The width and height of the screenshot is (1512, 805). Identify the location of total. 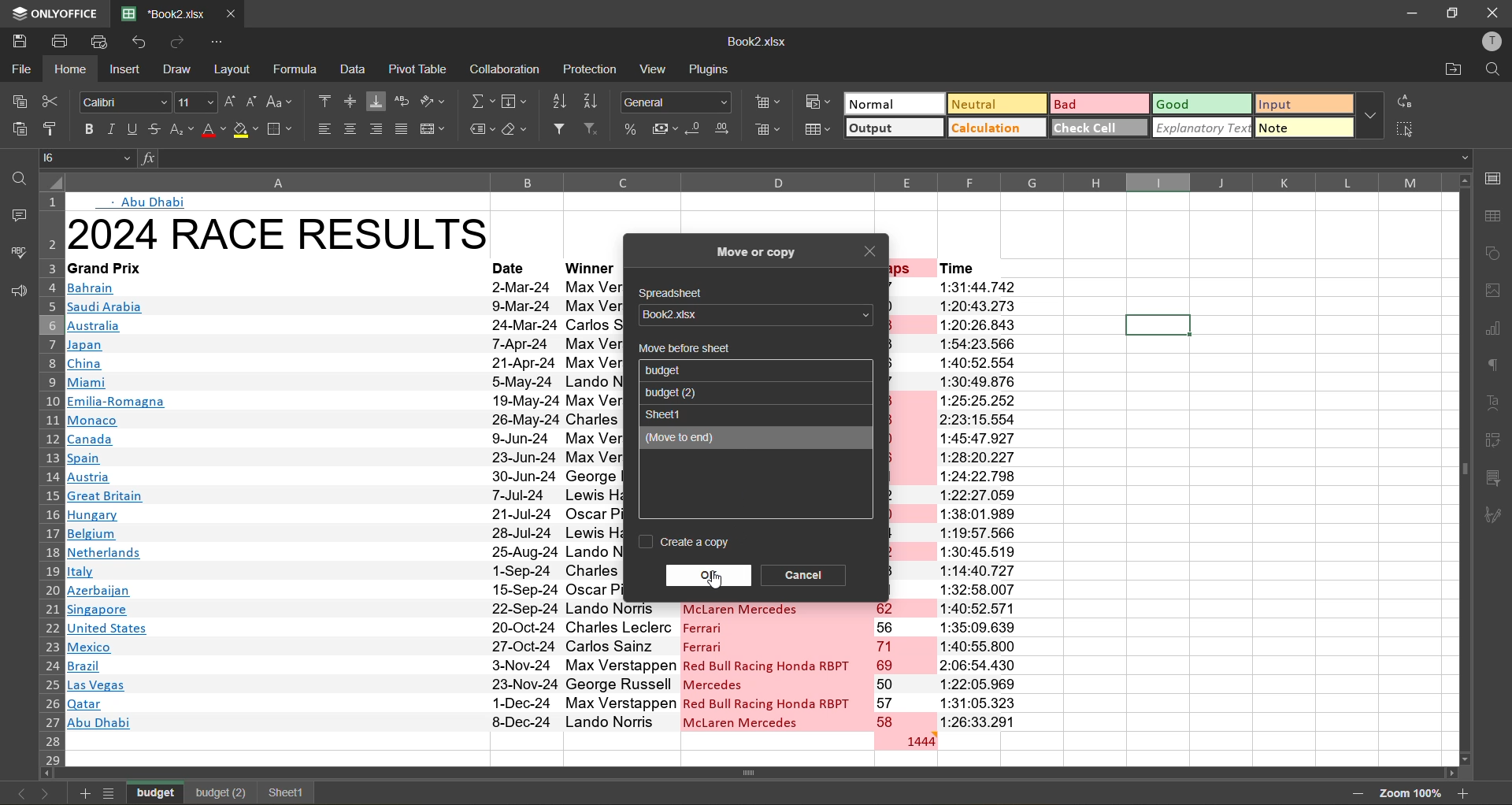
(905, 740).